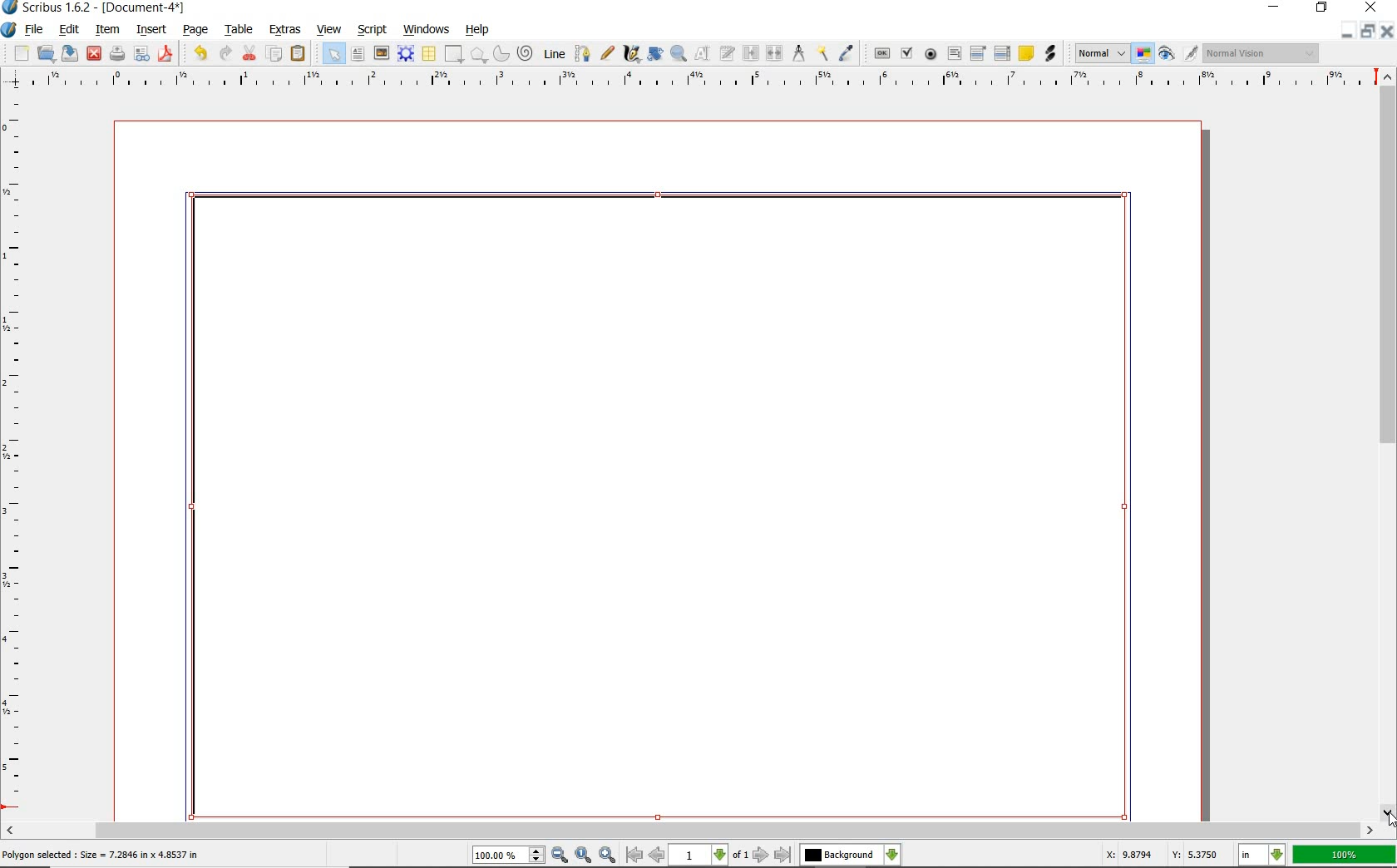 The height and width of the screenshot is (868, 1397). I want to click on zoom to 100%, so click(585, 855).